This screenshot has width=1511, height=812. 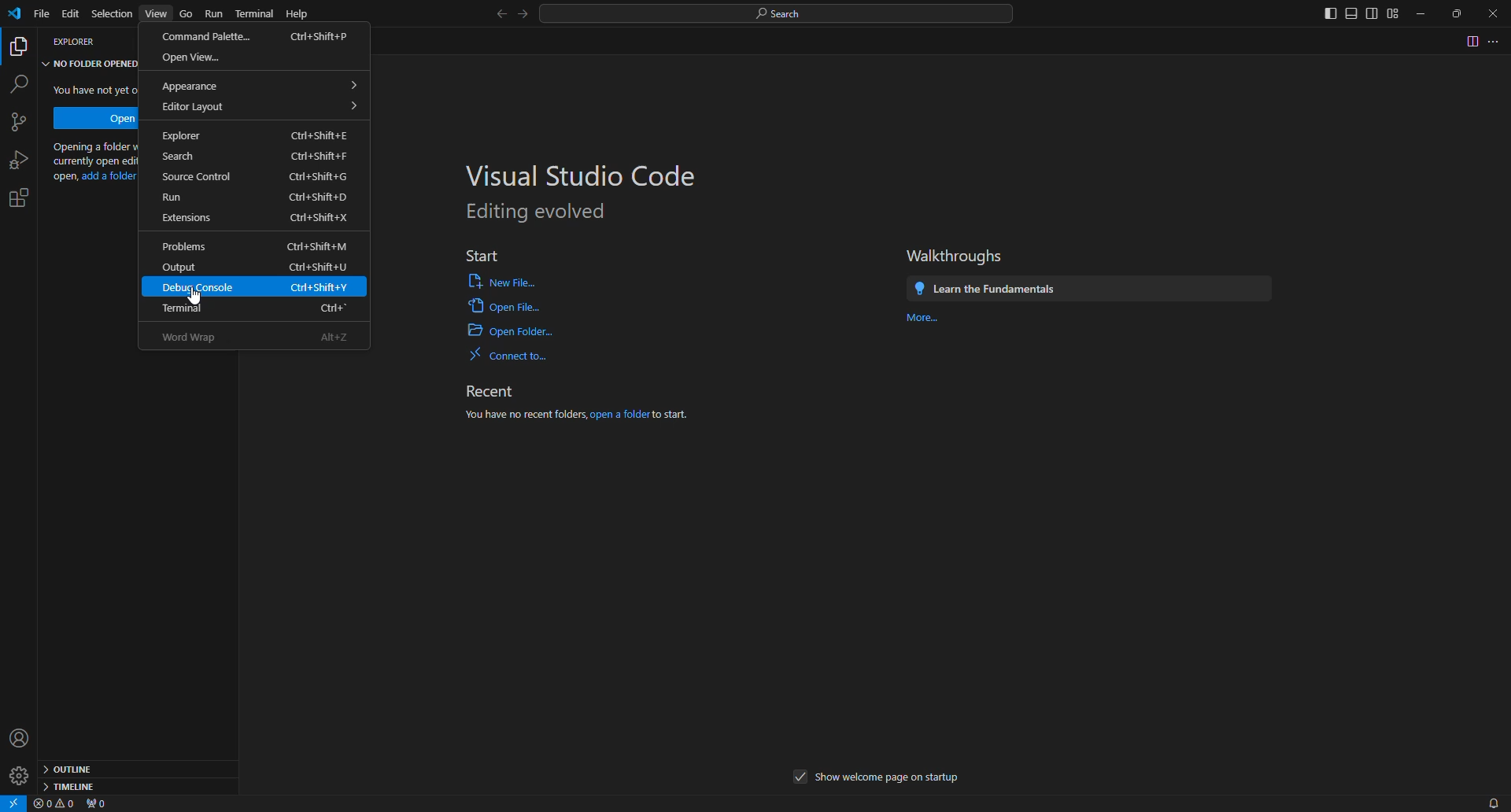 What do you see at coordinates (1353, 14) in the screenshot?
I see `Move to sides` at bounding box center [1353, 14].